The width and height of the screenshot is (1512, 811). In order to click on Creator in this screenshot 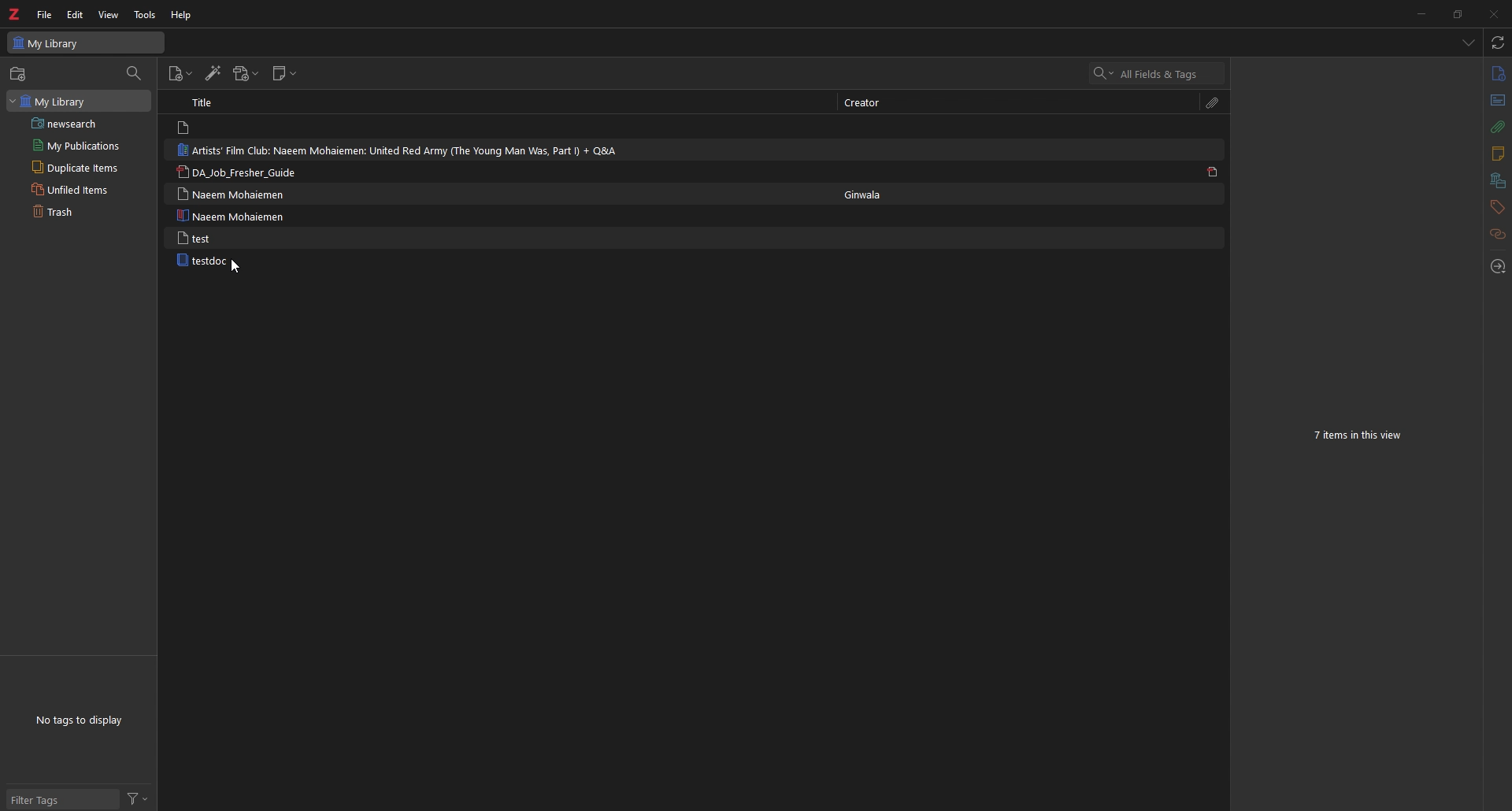, I will do `click(868, 103)`.